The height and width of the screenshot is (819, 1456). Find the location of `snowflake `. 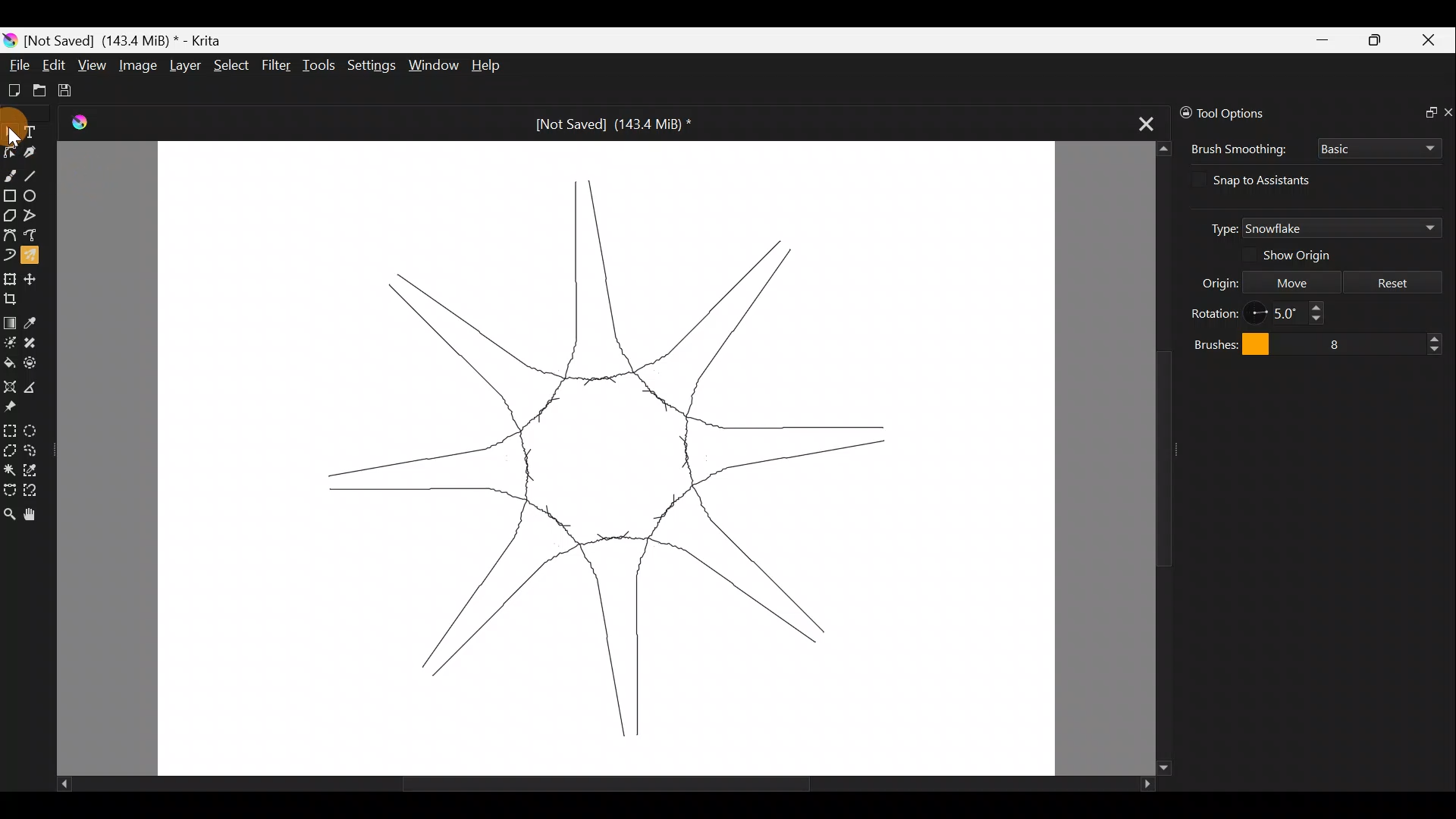

snowflake  is located at coordinates (613, 457).